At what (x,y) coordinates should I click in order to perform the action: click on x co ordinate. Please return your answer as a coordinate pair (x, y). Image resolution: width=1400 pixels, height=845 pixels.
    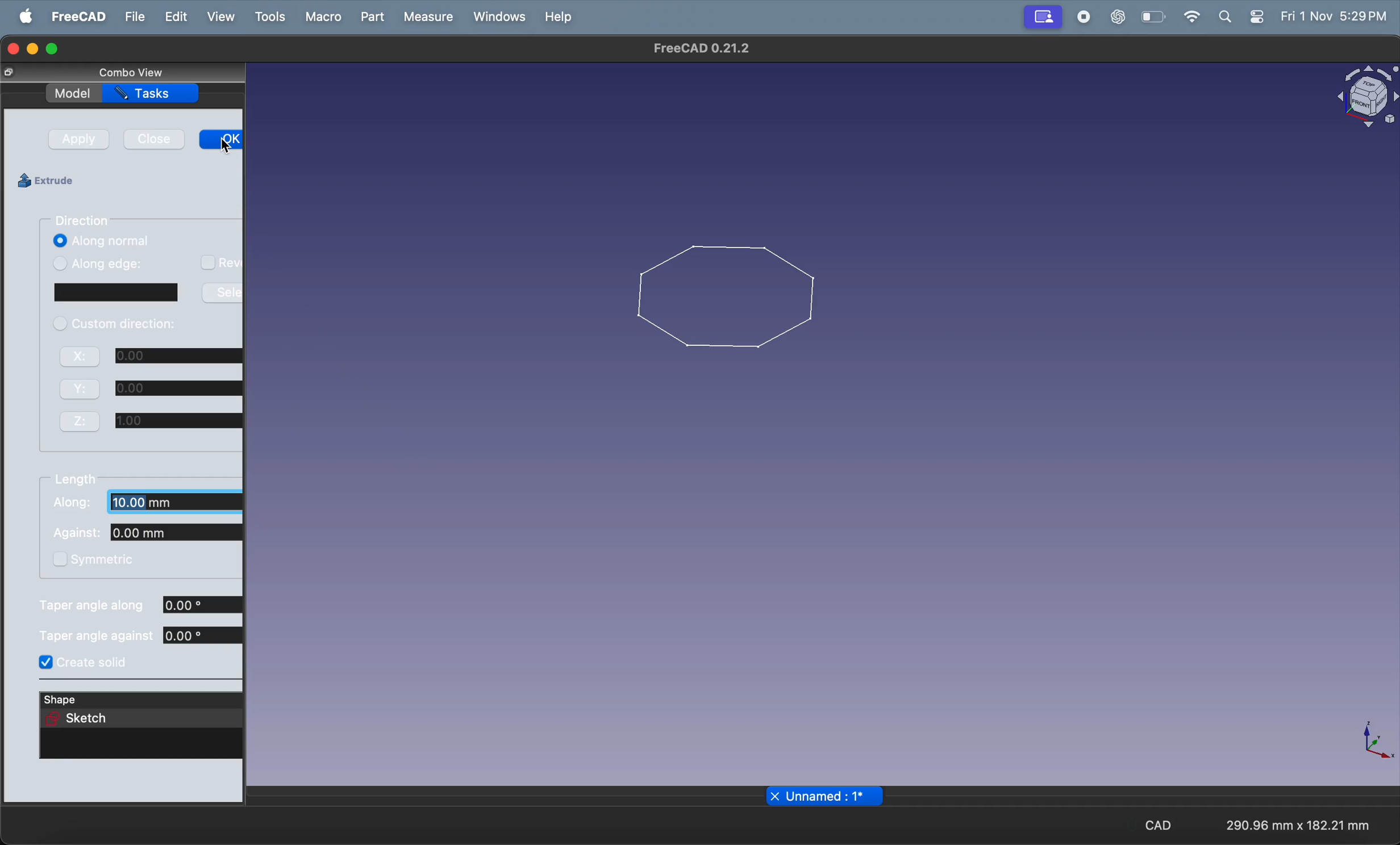
    Looking at the image, I should click on (155, 357).